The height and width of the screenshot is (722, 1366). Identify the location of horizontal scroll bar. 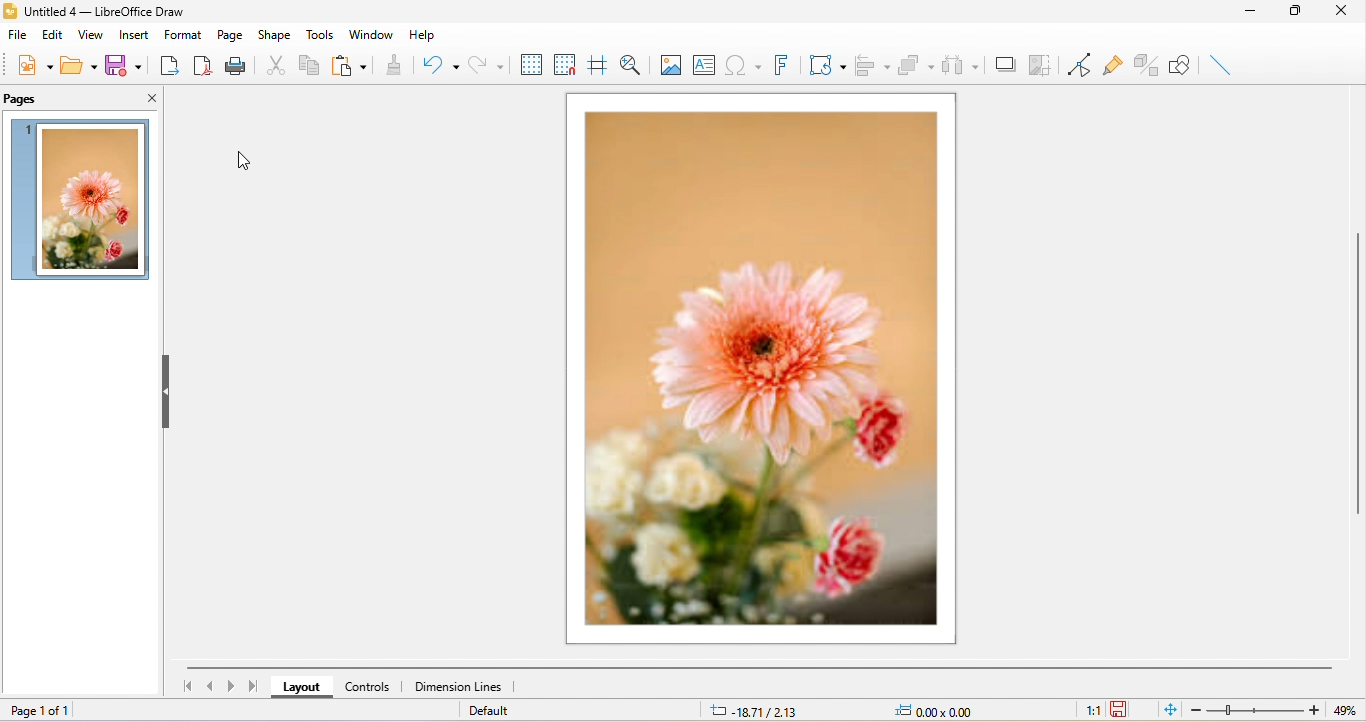
(753, 668).